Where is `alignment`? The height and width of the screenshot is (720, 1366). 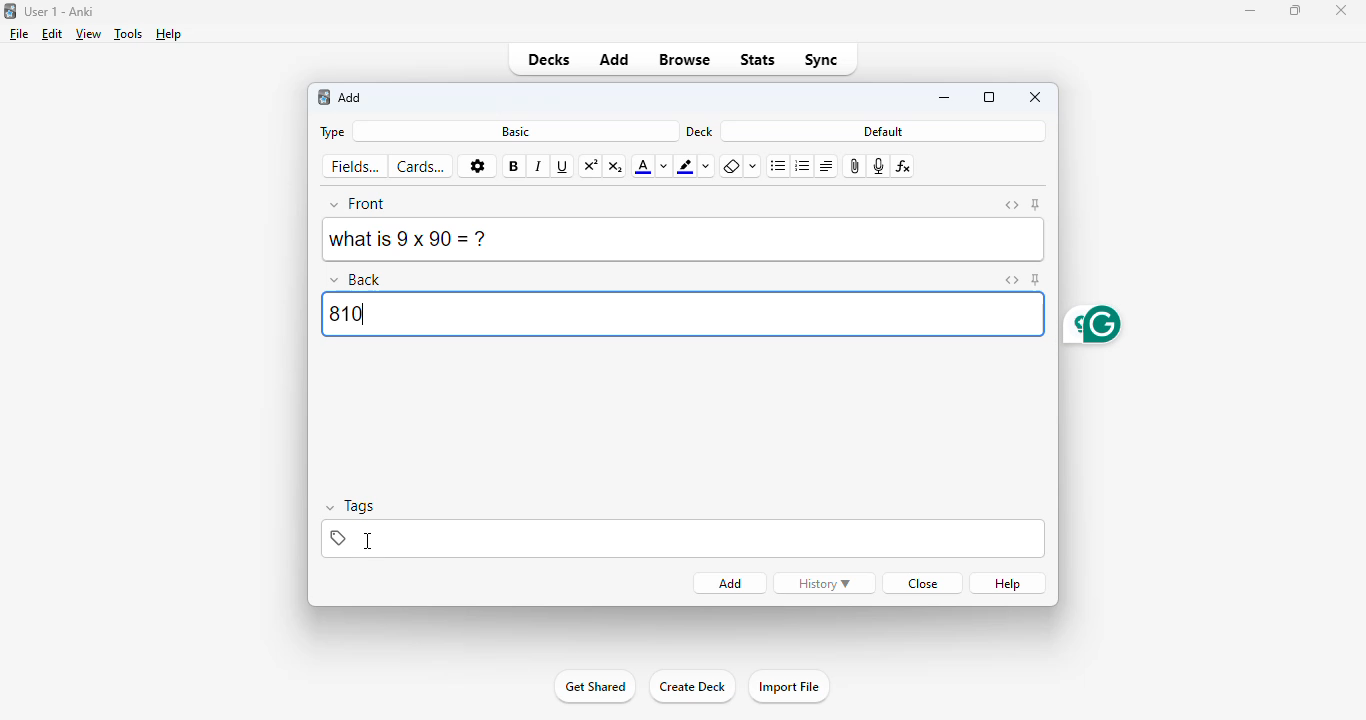 alignment is located at coordinates (826, 166).